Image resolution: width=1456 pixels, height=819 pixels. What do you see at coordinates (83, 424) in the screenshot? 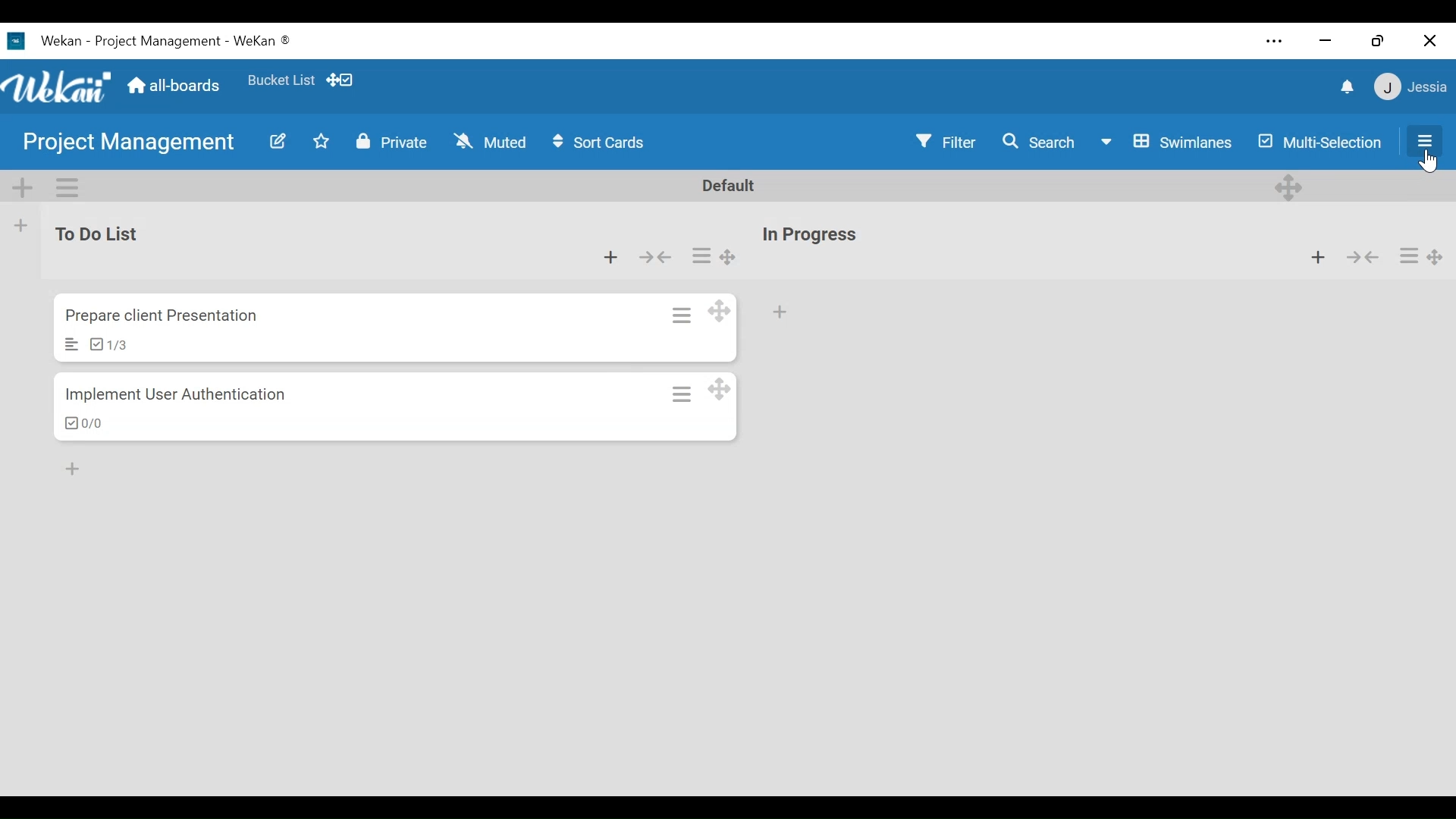
I see `Checklist` at bounding box center [83, 424].